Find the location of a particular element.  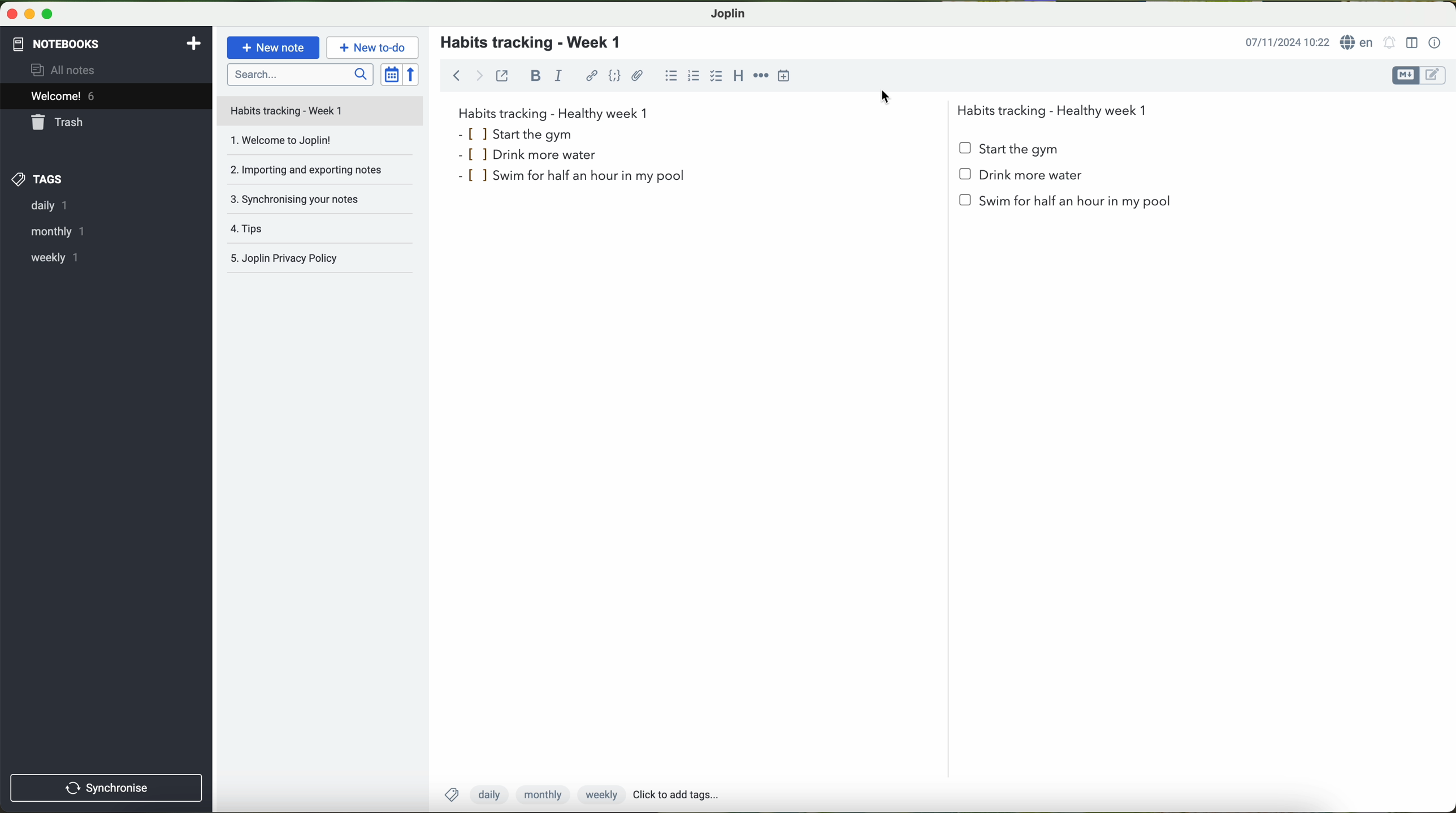

Habits tracking - Healthy week 1 is located at coordinates (1057, 108).